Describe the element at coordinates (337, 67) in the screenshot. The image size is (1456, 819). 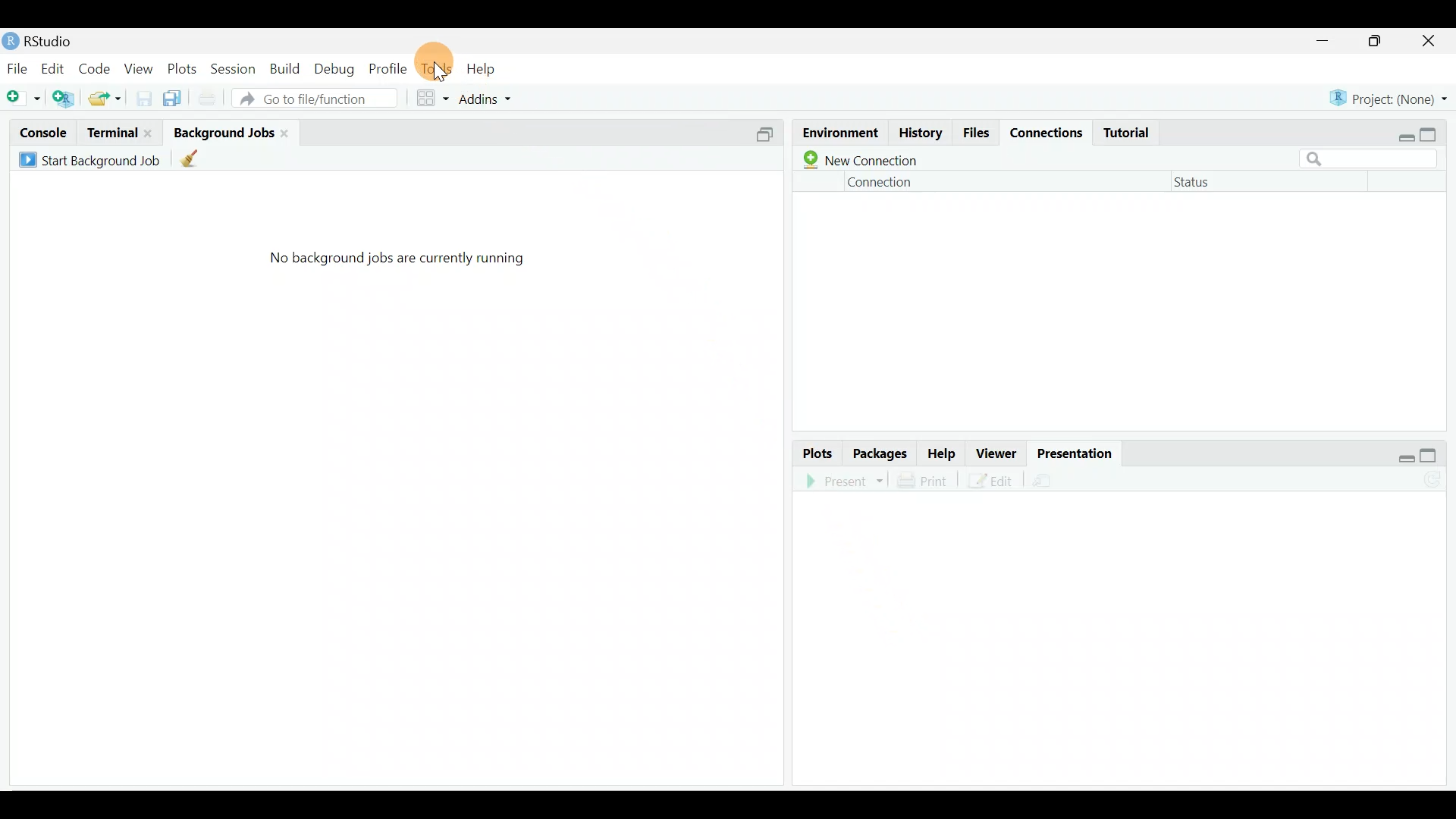
I see `Debug` at that location.